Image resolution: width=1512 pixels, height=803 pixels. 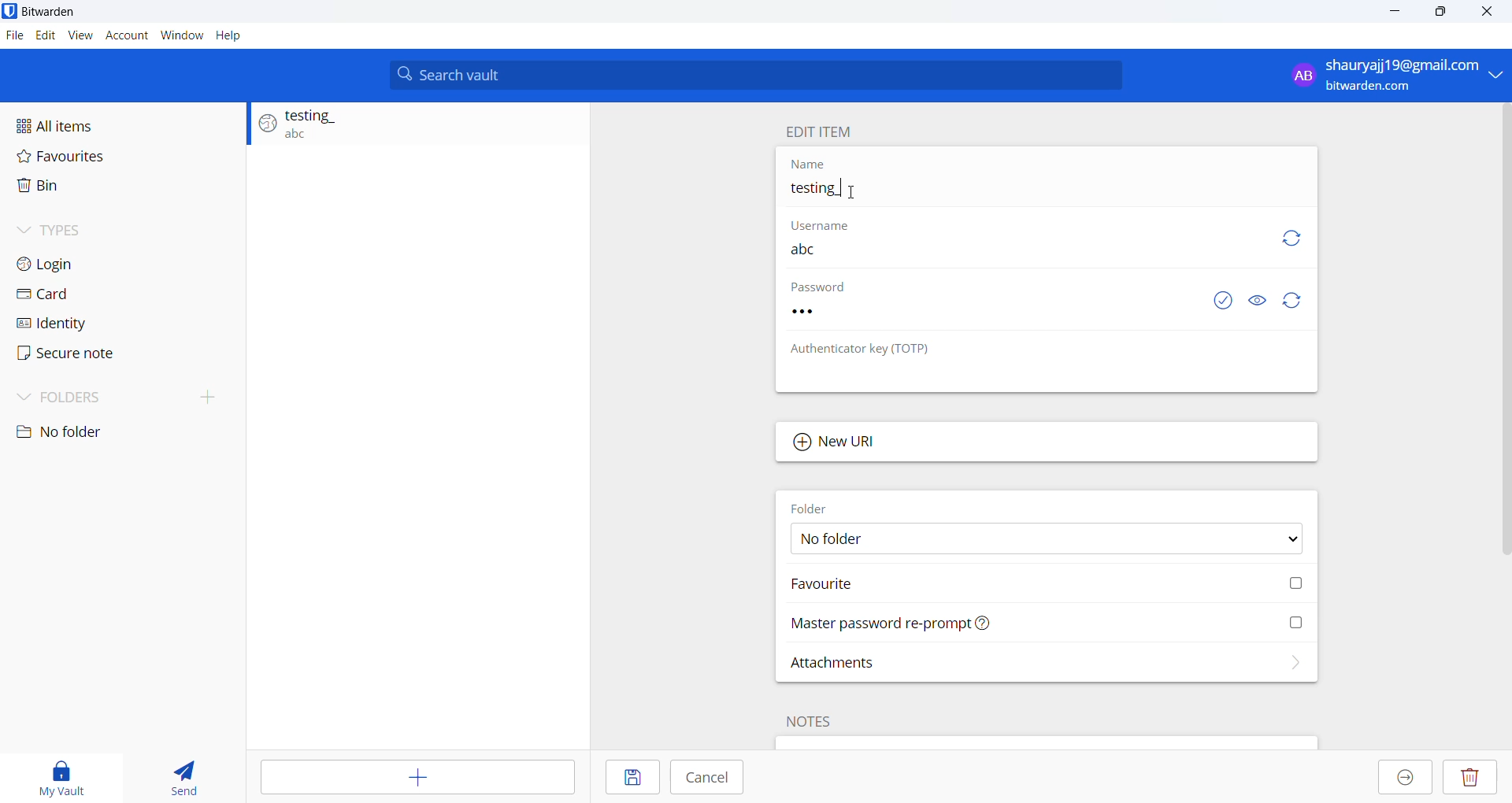 What do you see at coordinates (1392, 75) in the screenshot?
I see `Login account email` at bounding box center [1392, 75].